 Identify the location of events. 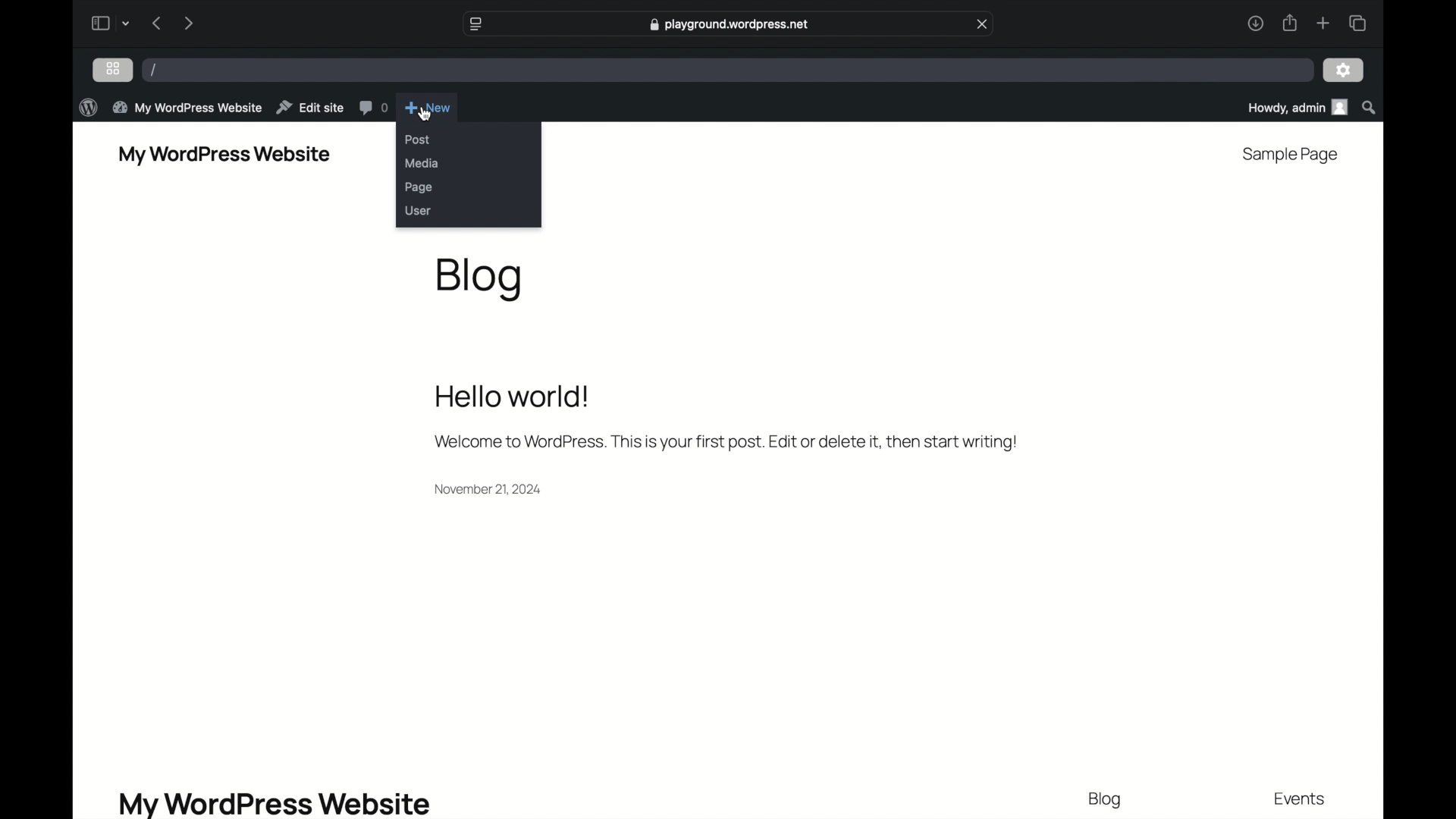
(1300, 800).